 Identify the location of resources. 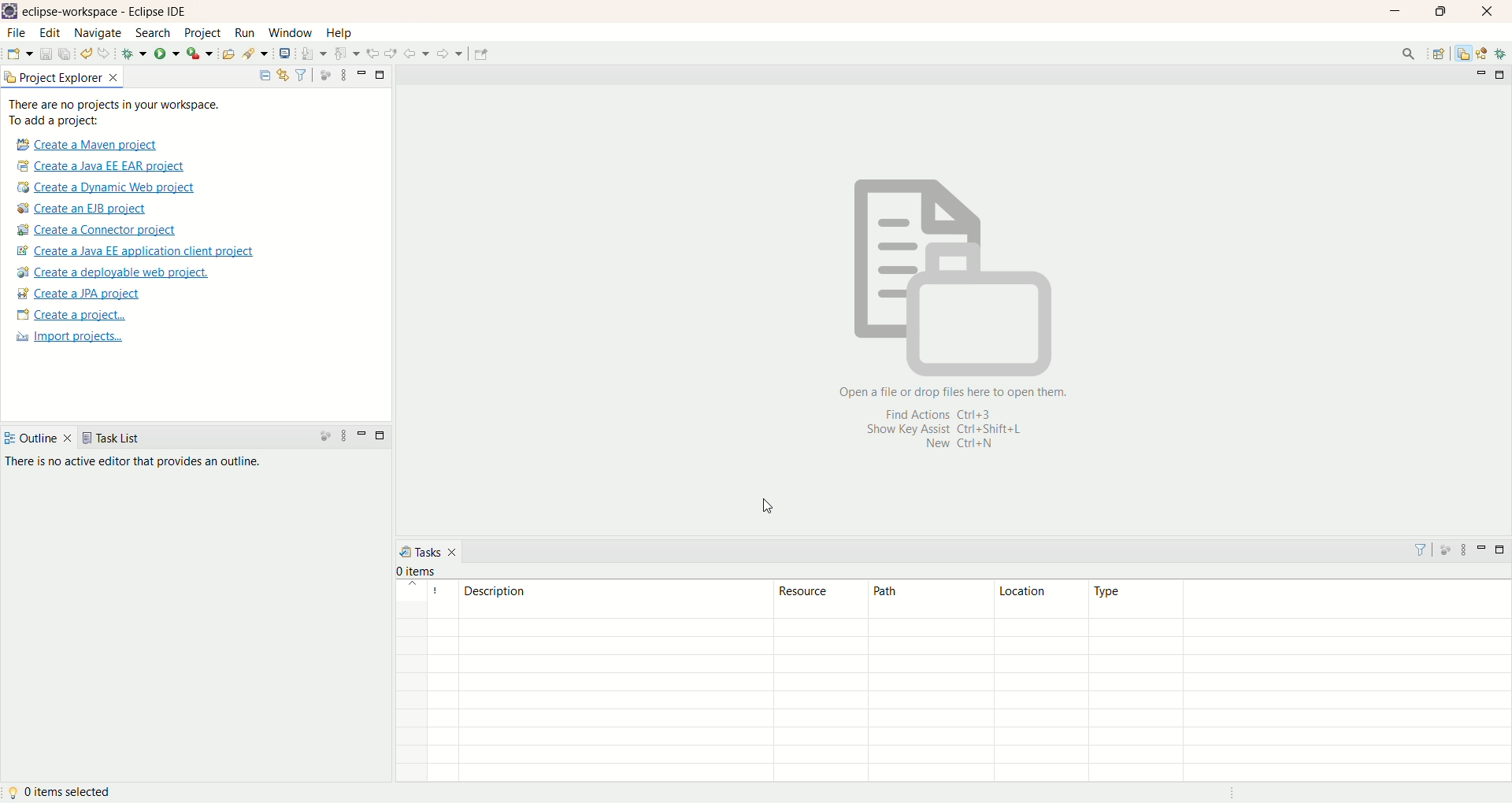
(1464, 55).